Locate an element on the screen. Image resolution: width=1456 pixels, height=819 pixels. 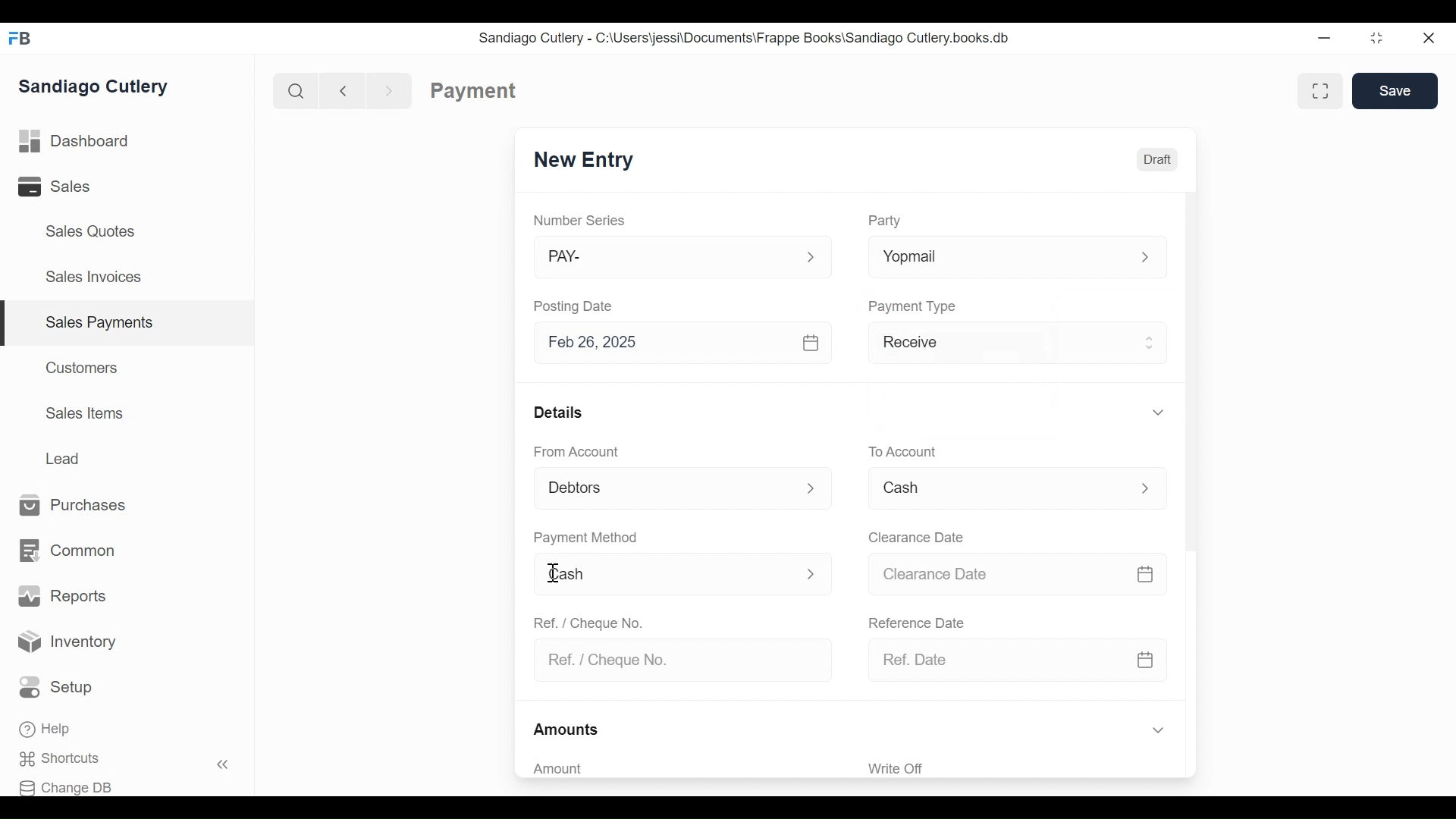
Clearance Date is located at coordinates (997, 575).